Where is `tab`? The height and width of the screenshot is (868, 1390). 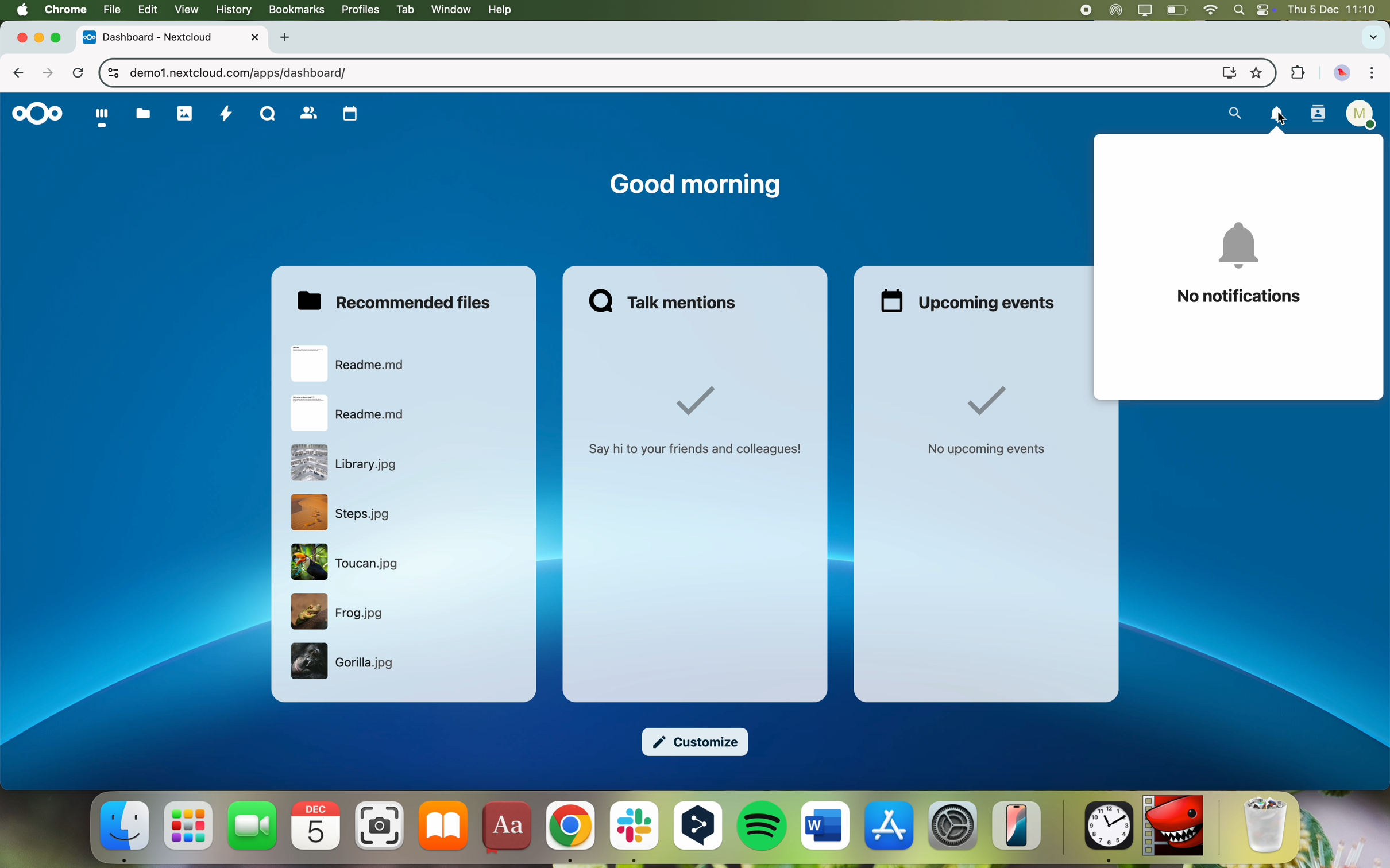
tab is located at coordinates (403, 10).